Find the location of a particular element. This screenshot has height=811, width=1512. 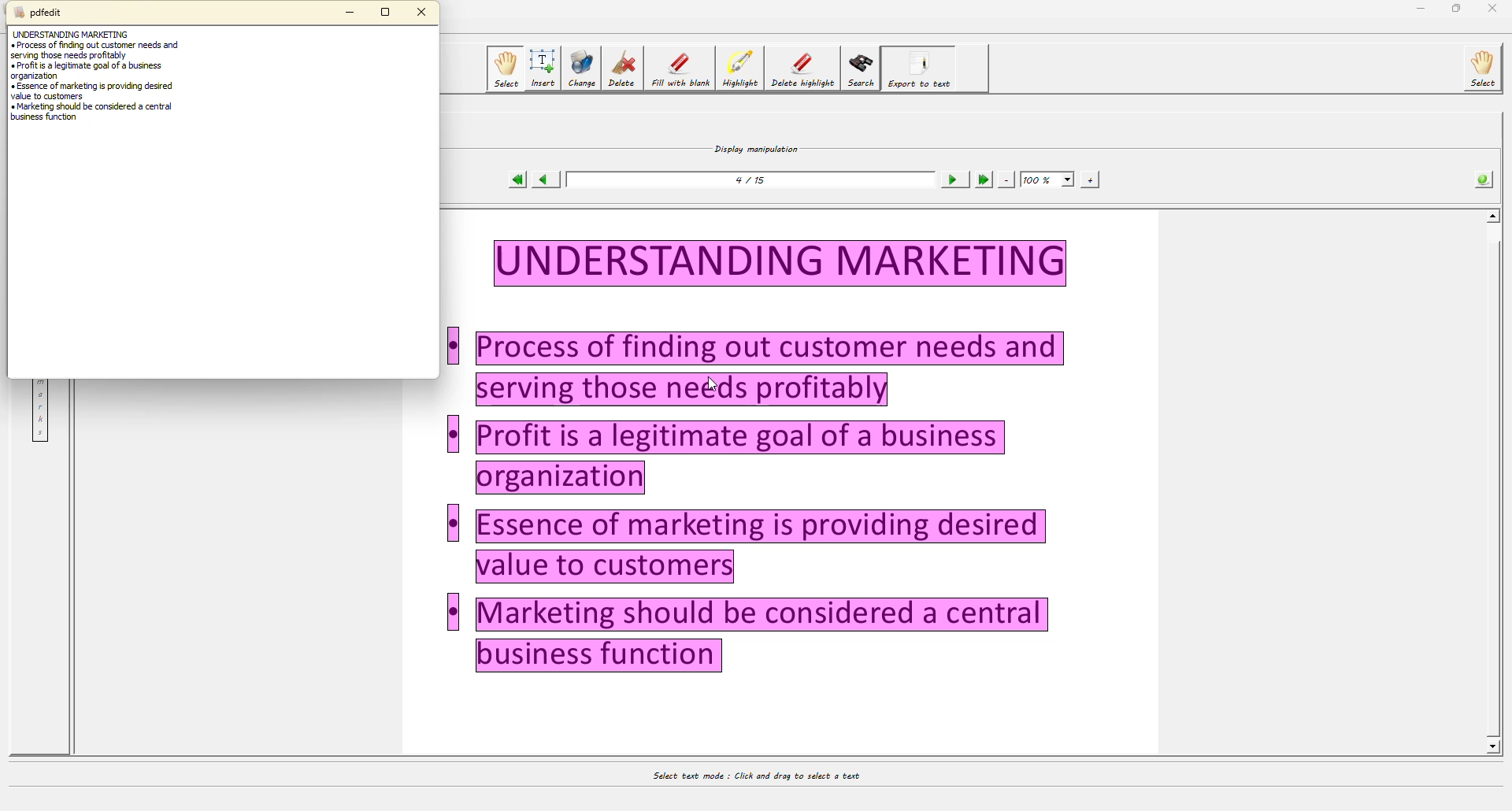

 is located at coordinates (781, 262).